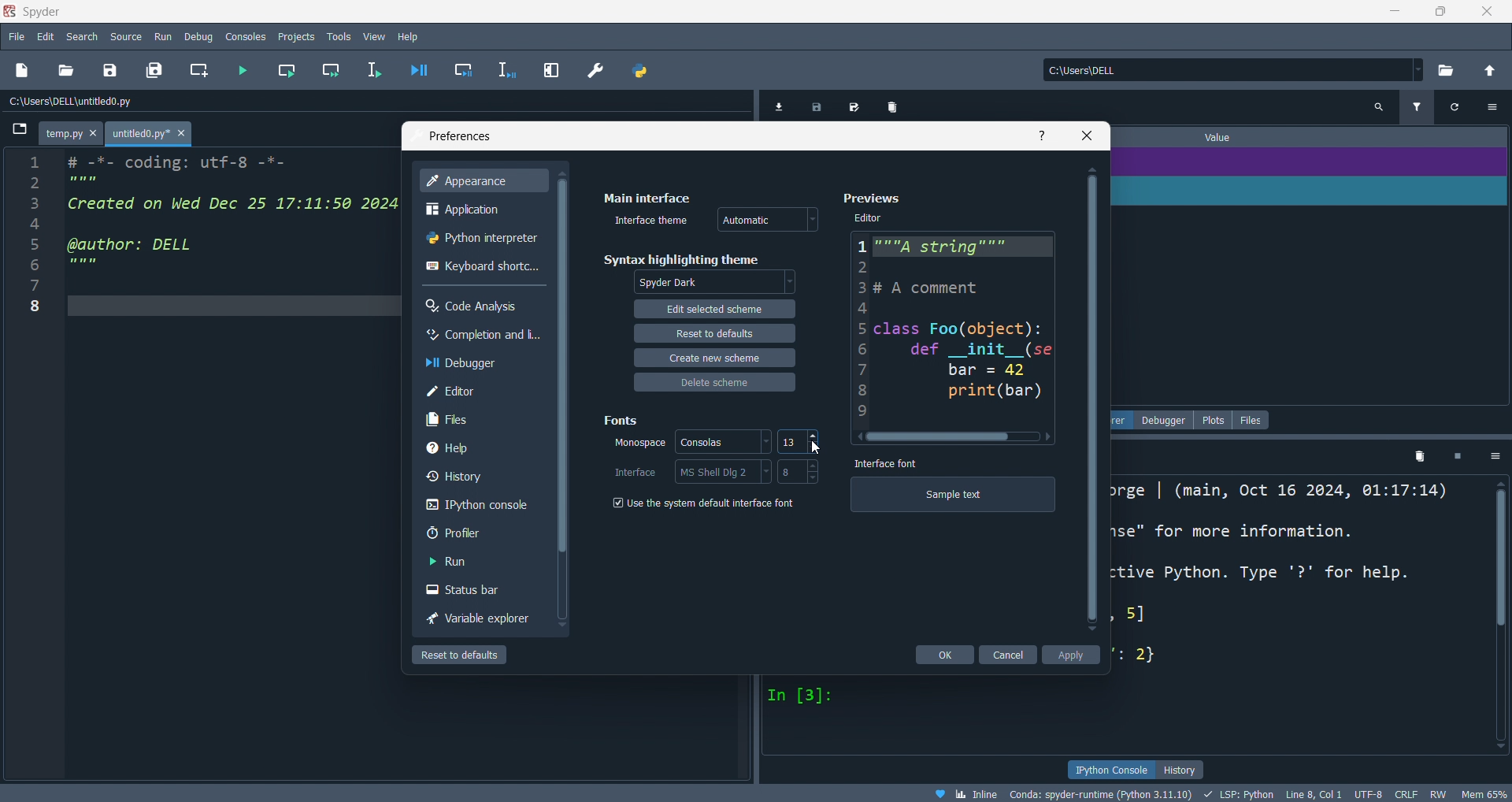 This screenshot has height=802, width=1512. Describe the element at coordinates (971, 793) in the screenshot. I see `Inline` at that location.